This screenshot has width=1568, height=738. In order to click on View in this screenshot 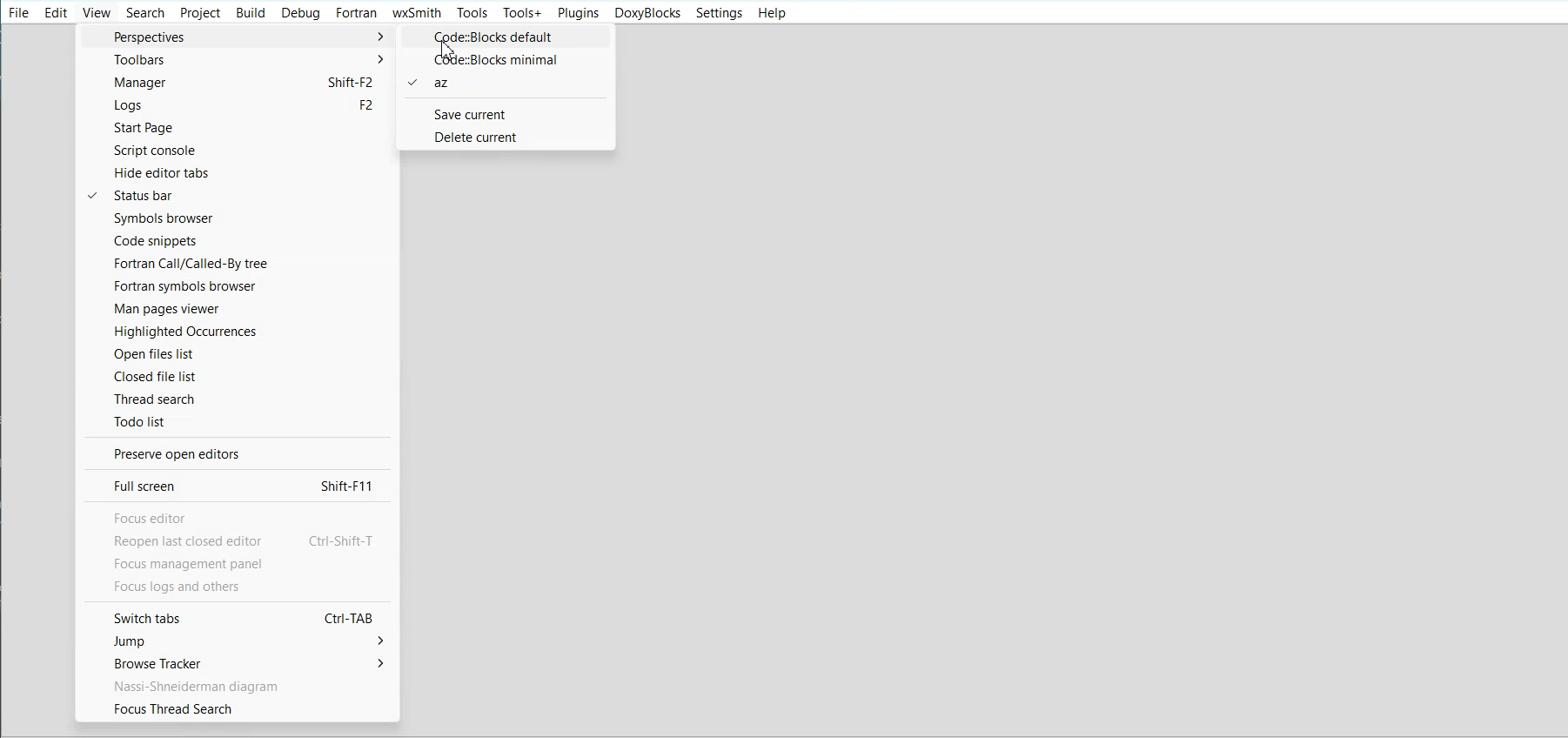, I will do `click(97, 12)`.